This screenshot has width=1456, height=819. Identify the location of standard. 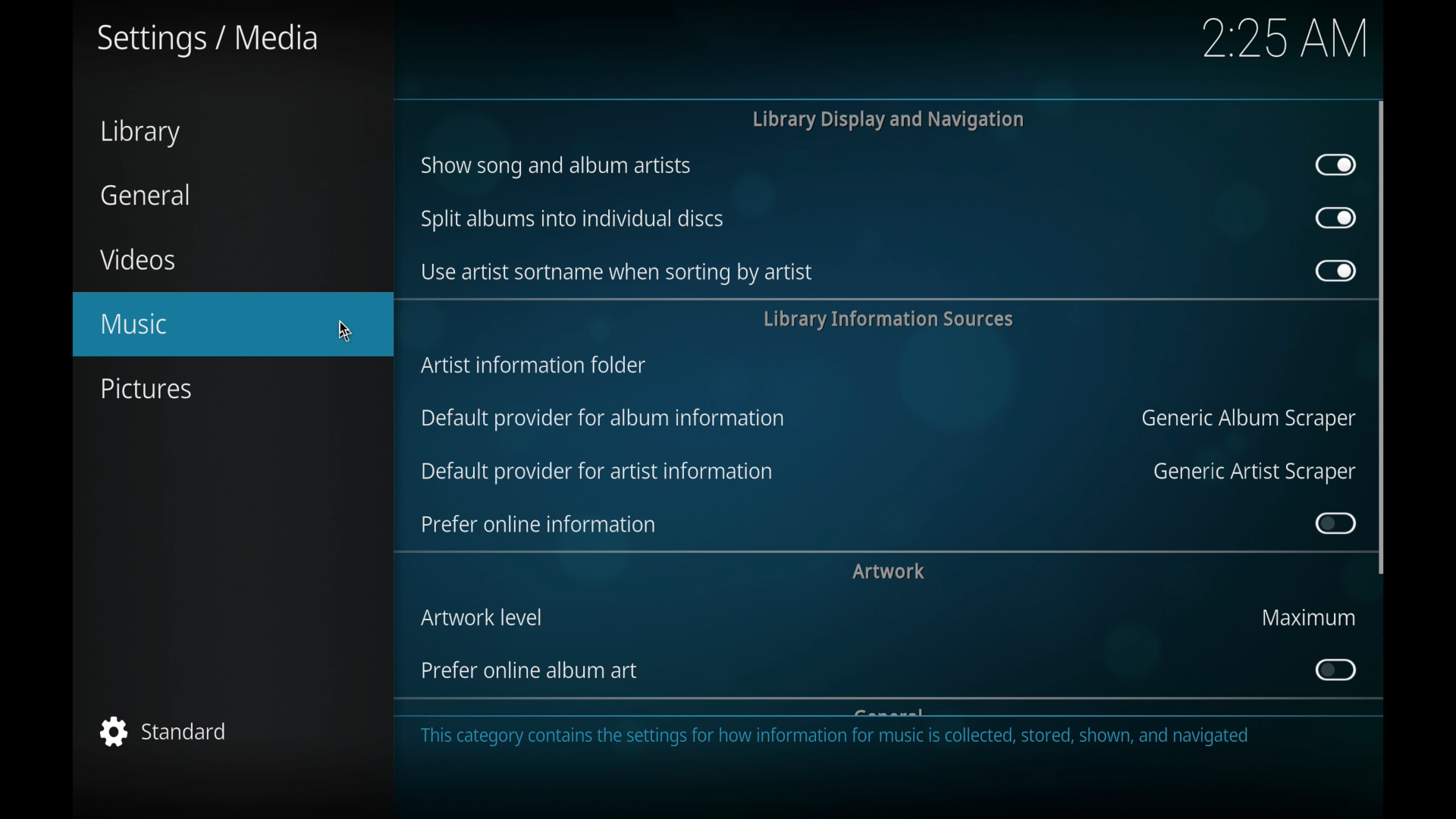
(167, 731).